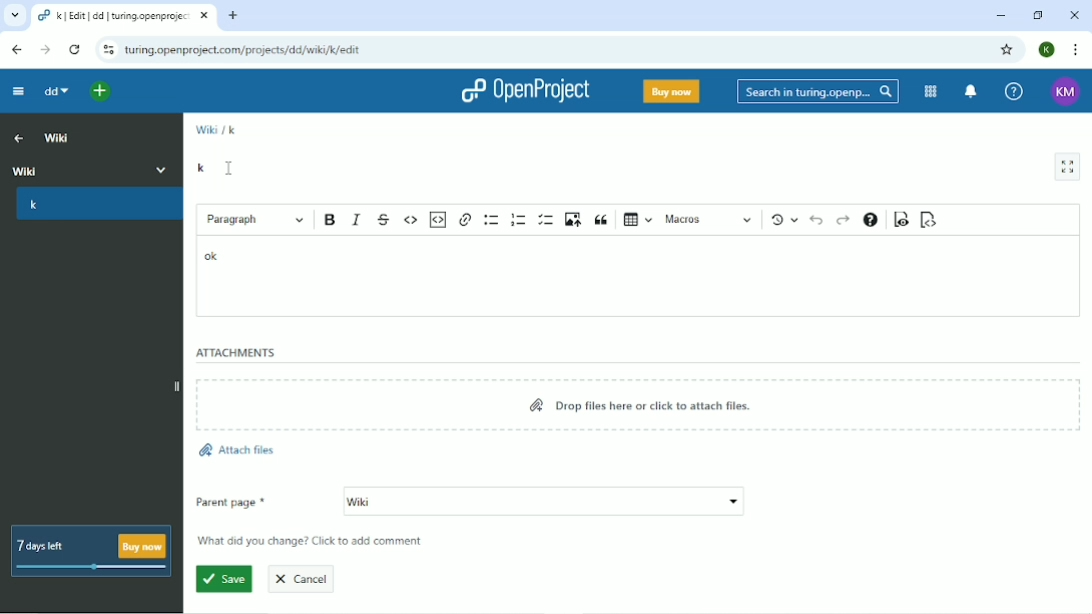 This screenshot has height=614, width=1092. I want to click on Back, so click(16, 50).